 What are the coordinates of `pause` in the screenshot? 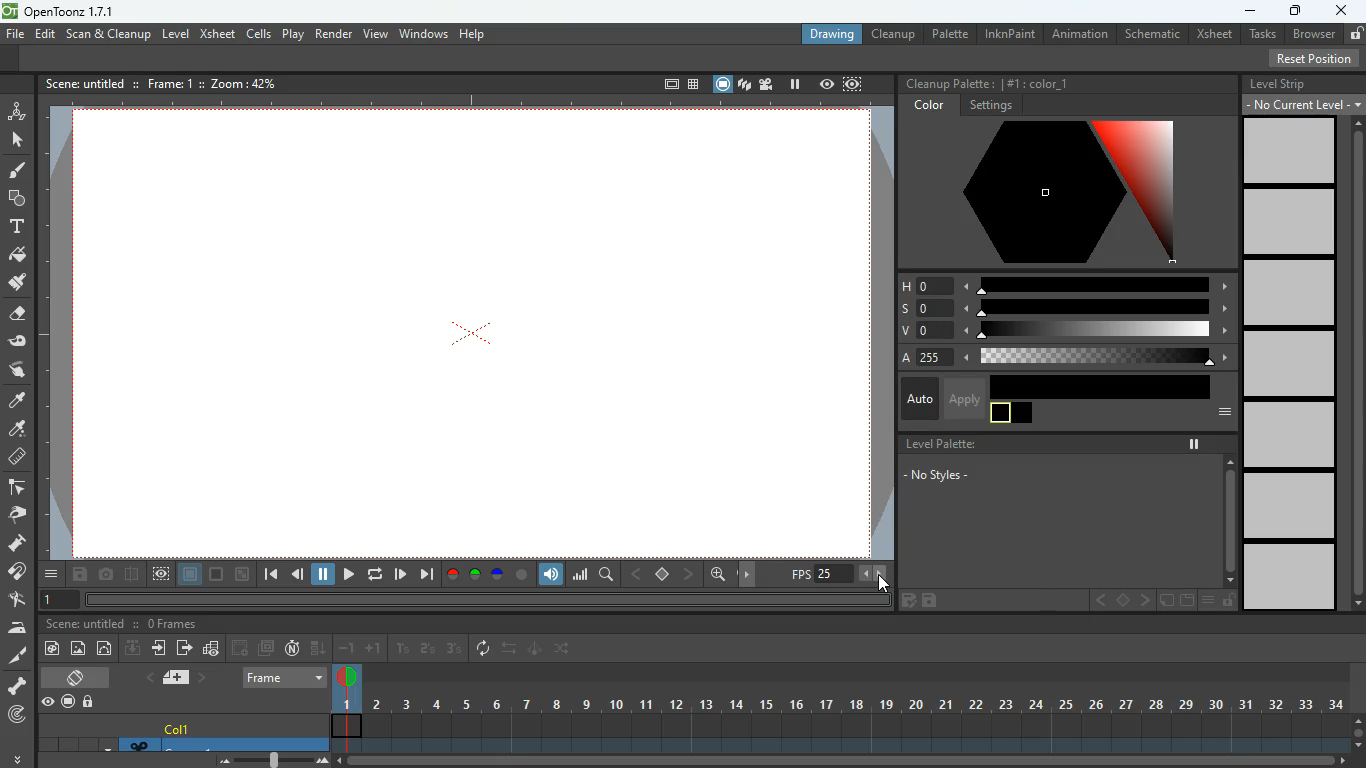 It's located at (1191, 444).